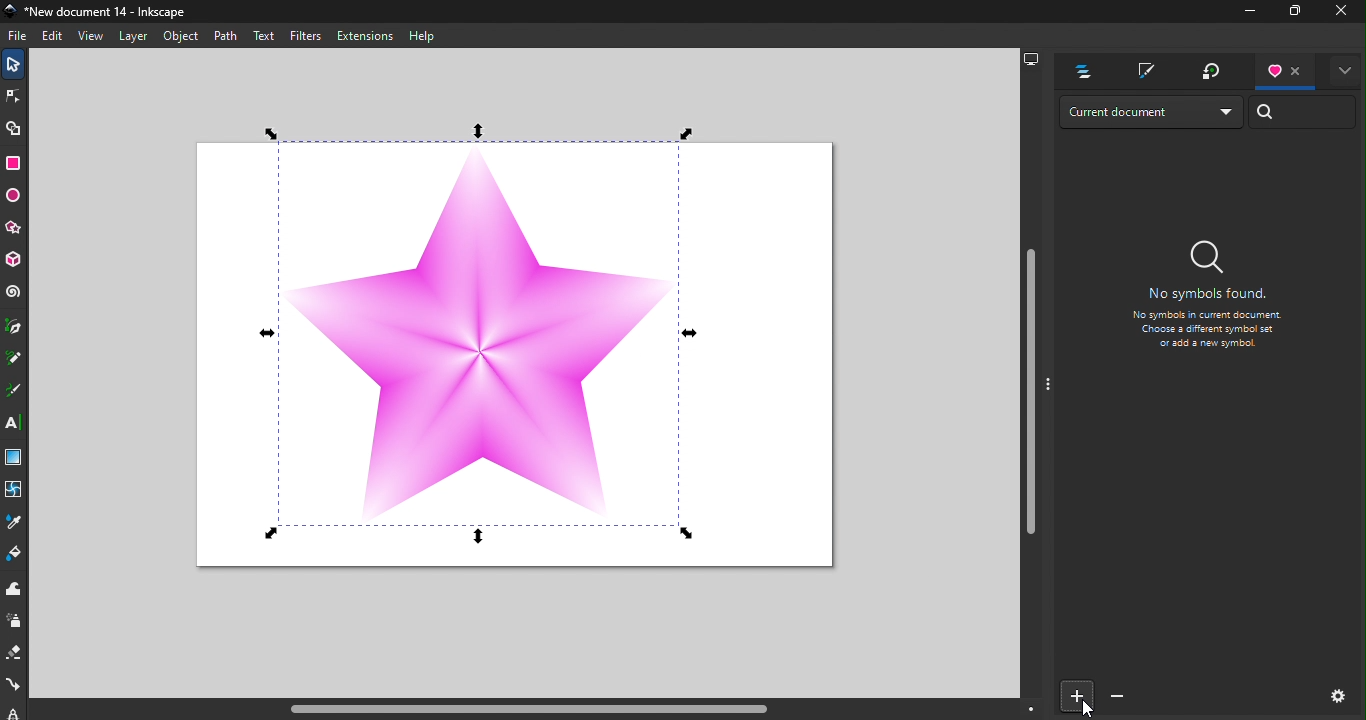  I want to click on Text, so click(1205, 306).